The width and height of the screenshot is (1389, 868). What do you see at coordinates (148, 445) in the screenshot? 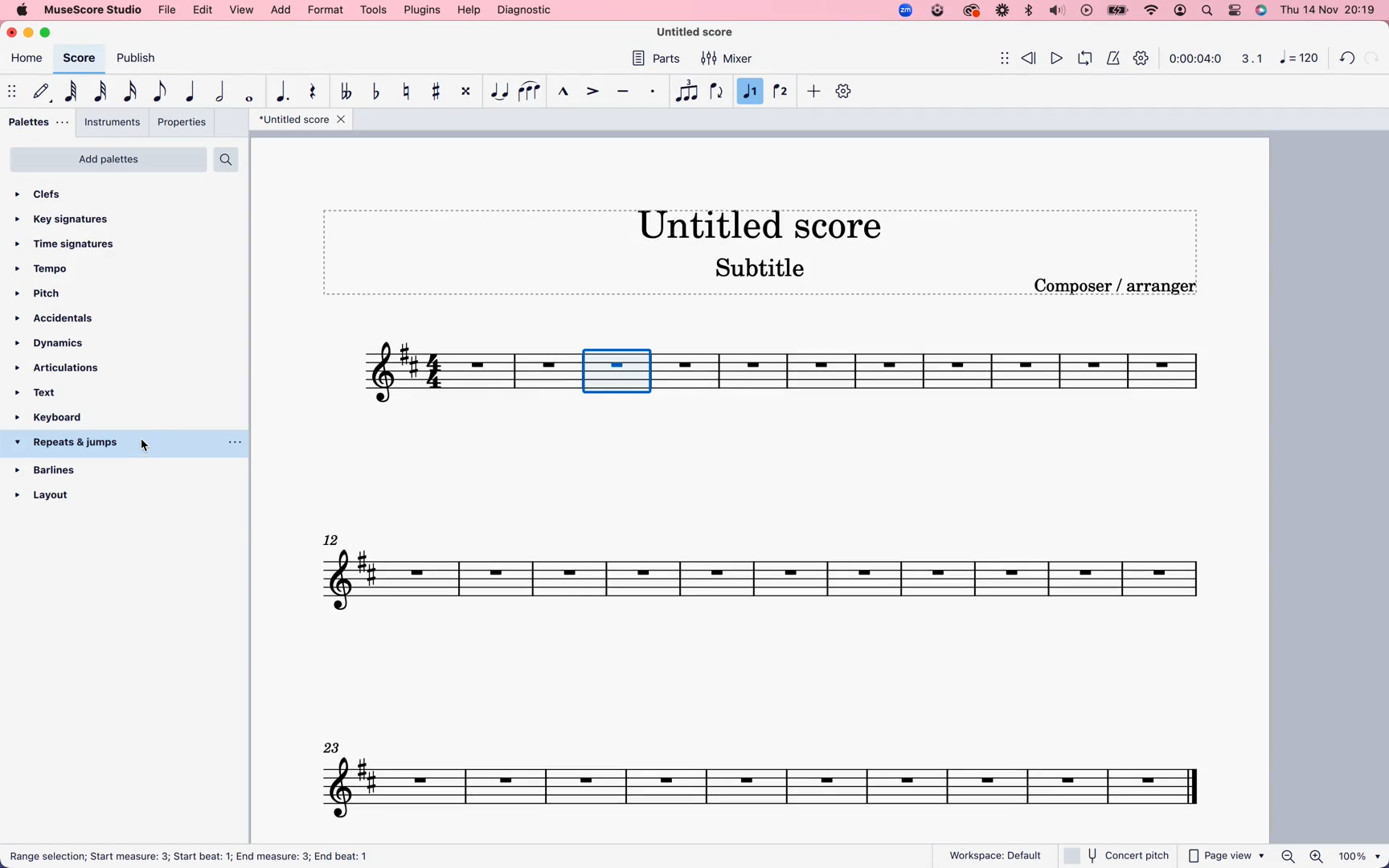
I see `cursor` at bounding box center [148, 445].